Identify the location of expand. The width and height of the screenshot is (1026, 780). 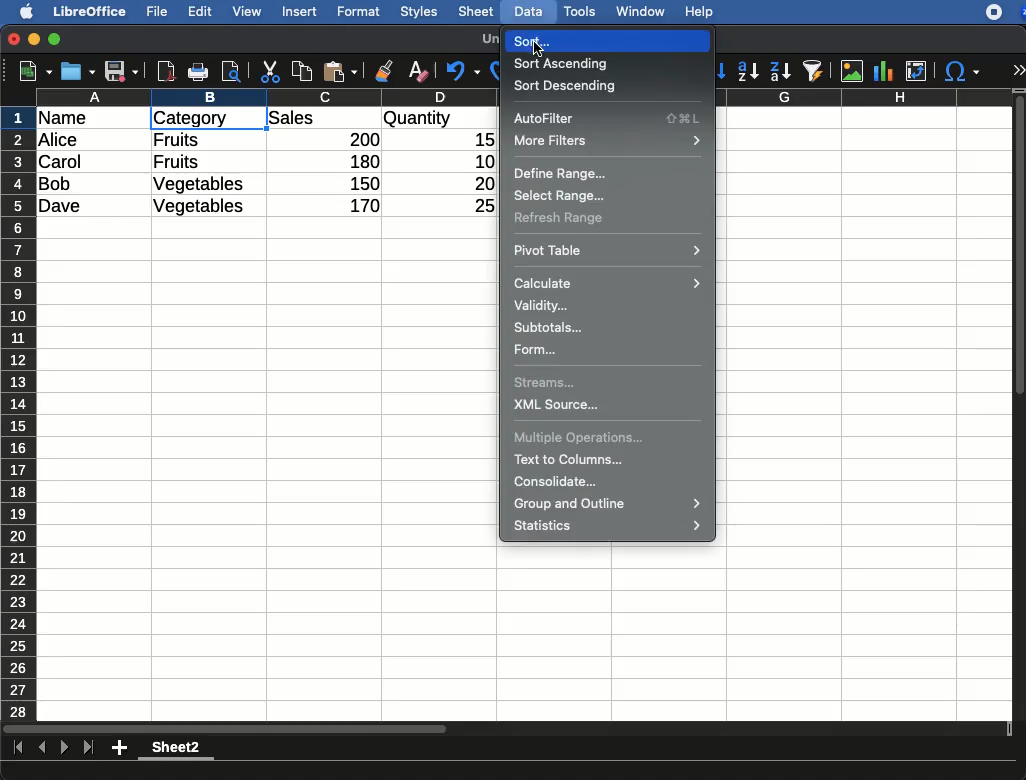
(1018, 70).